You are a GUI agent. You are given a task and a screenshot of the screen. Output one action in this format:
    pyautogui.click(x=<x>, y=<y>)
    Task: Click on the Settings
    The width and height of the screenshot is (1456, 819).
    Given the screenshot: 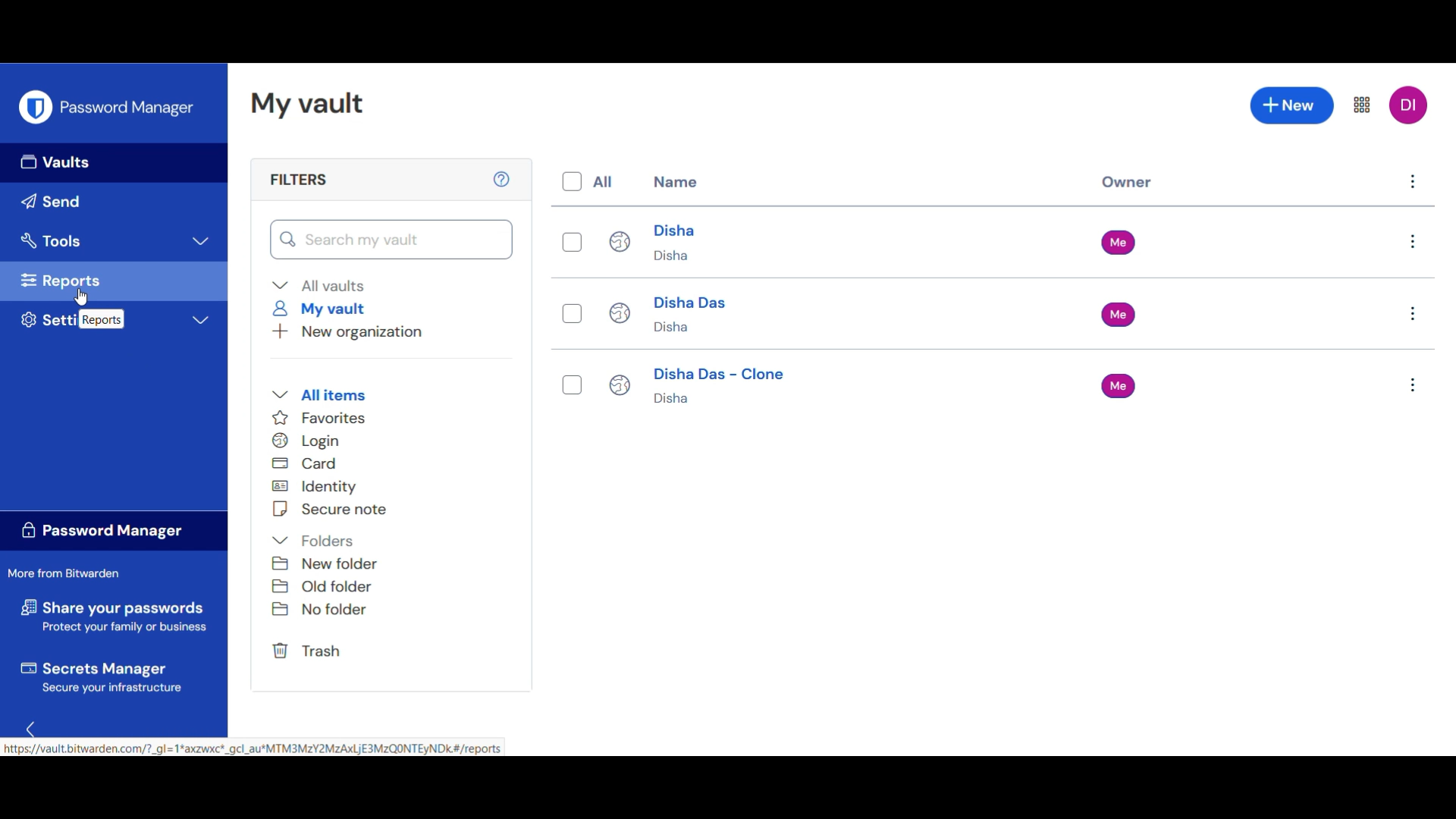 What is the action you would take?
    pyautogui.click(x=113, y=319)
    